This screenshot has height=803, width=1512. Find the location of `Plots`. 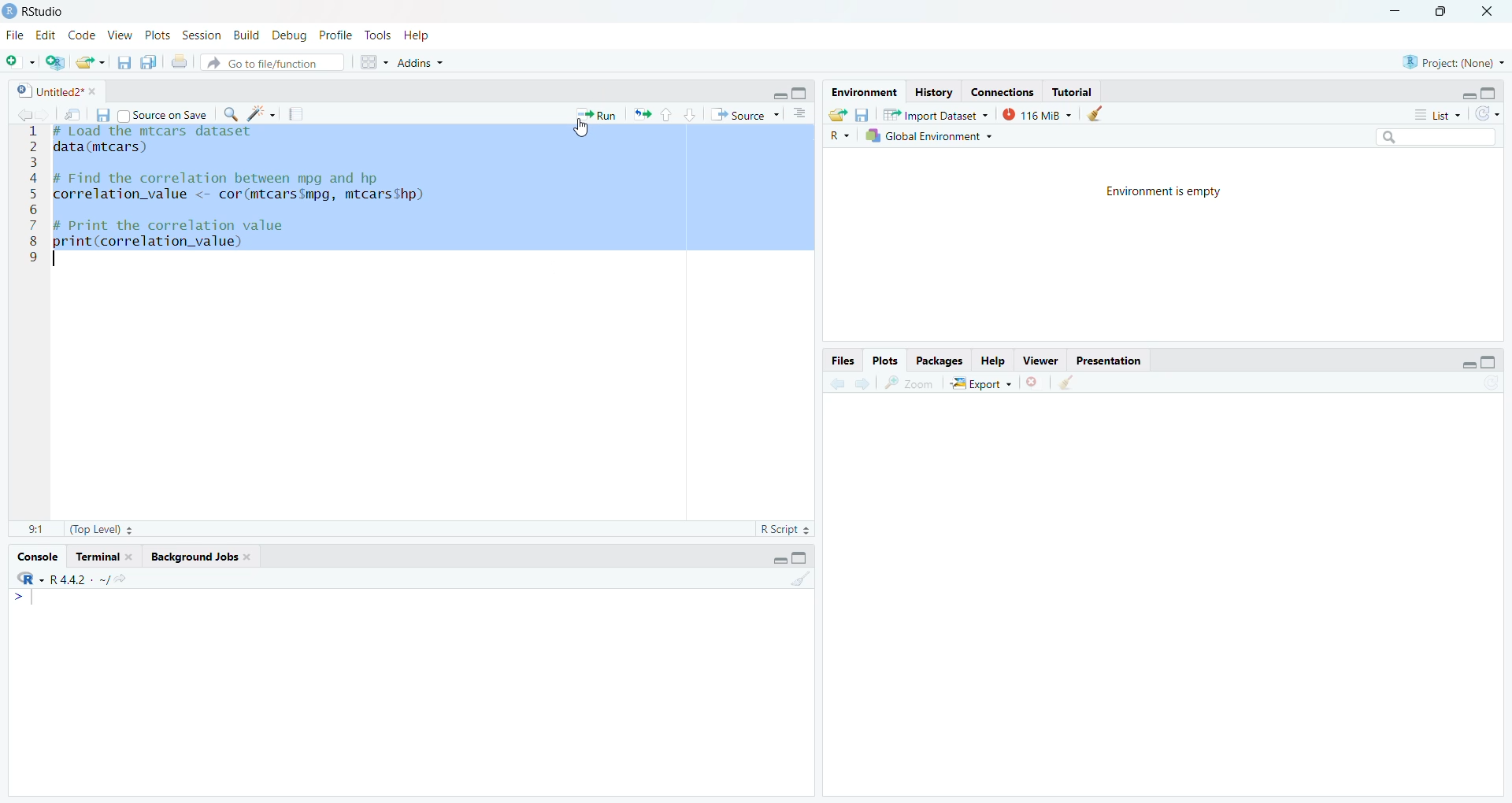

Plots is located at coordinates (885, 360).